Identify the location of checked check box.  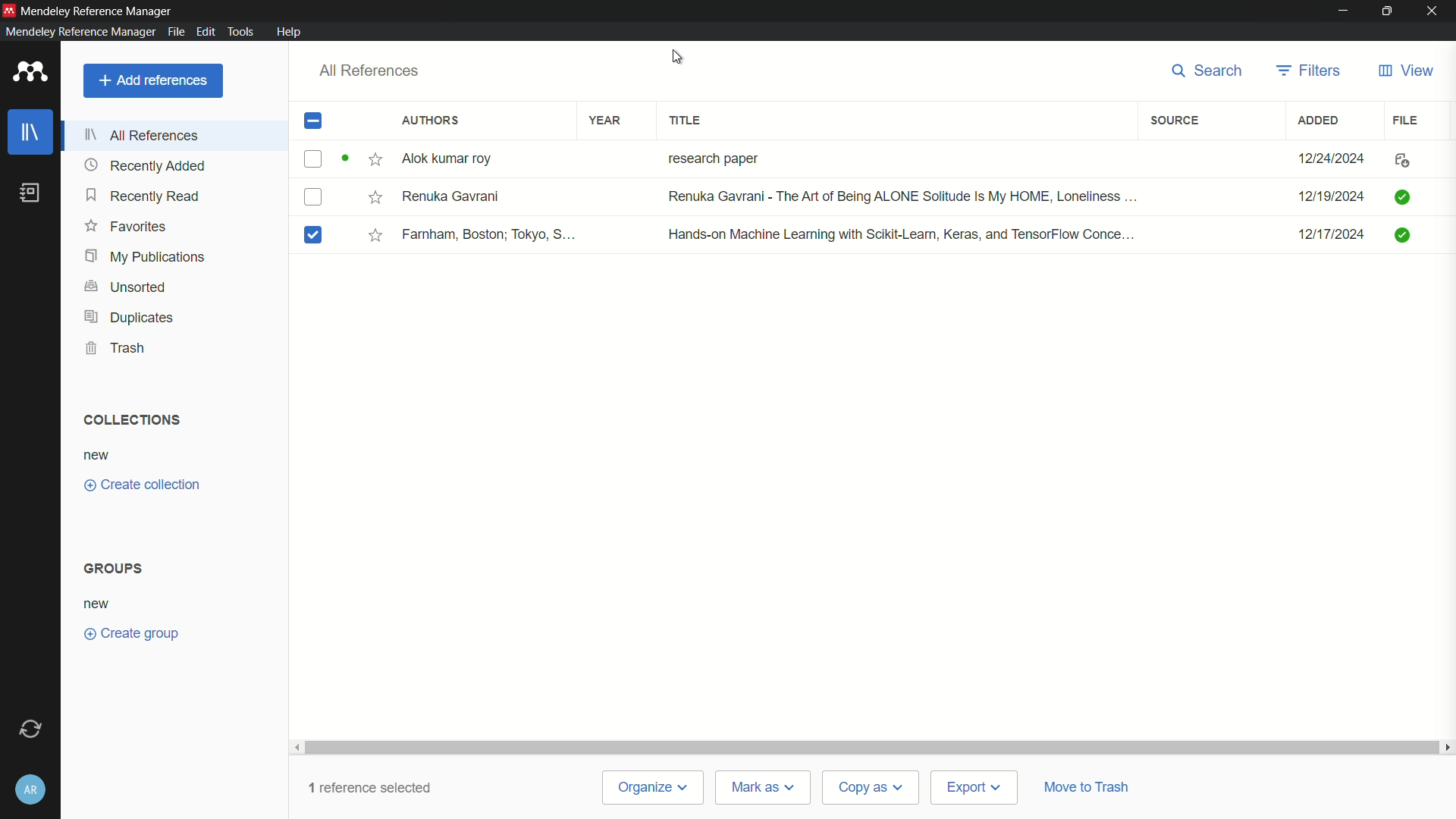
(317, 121).